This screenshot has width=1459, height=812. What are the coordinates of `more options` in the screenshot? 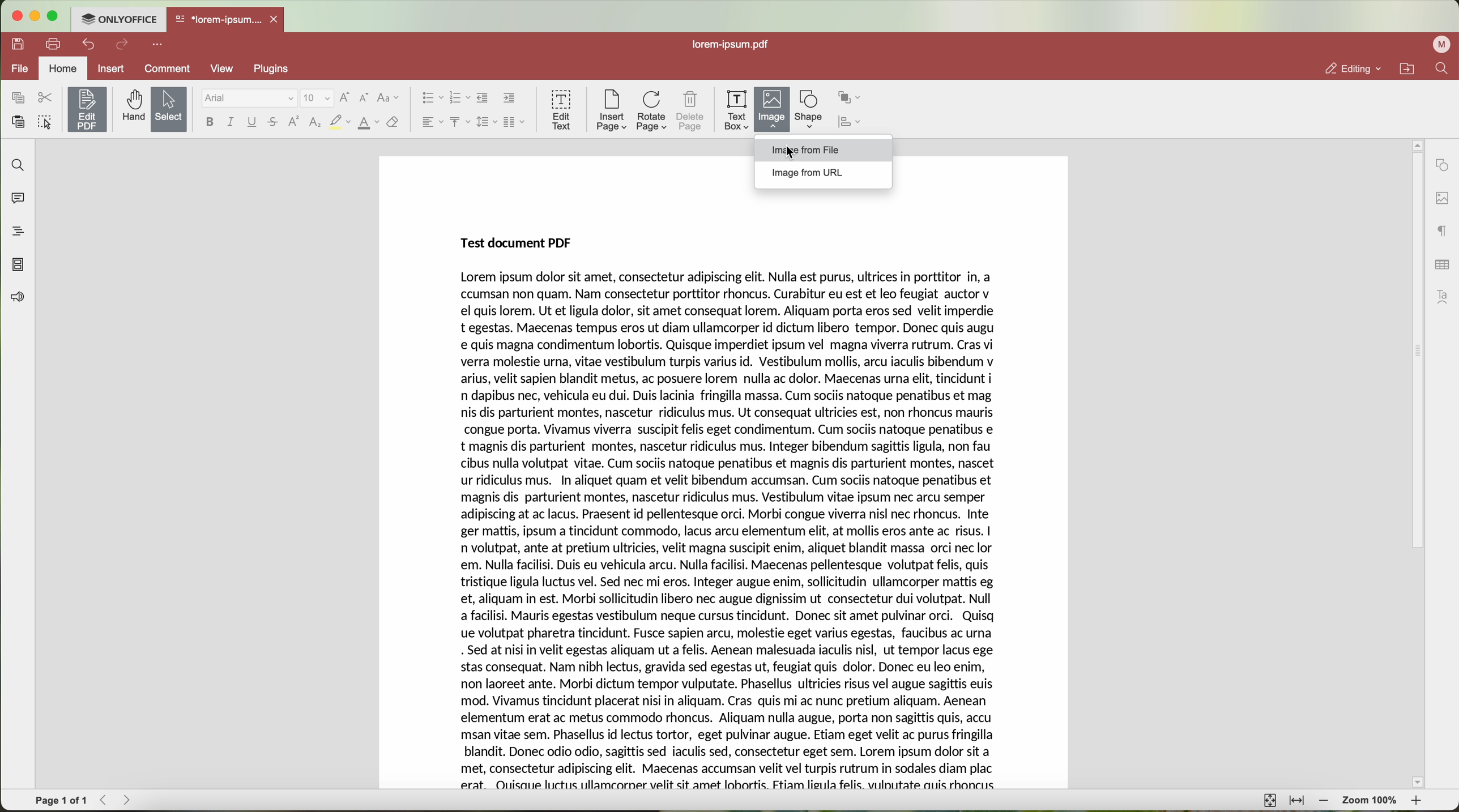 It's located at (160, 43).